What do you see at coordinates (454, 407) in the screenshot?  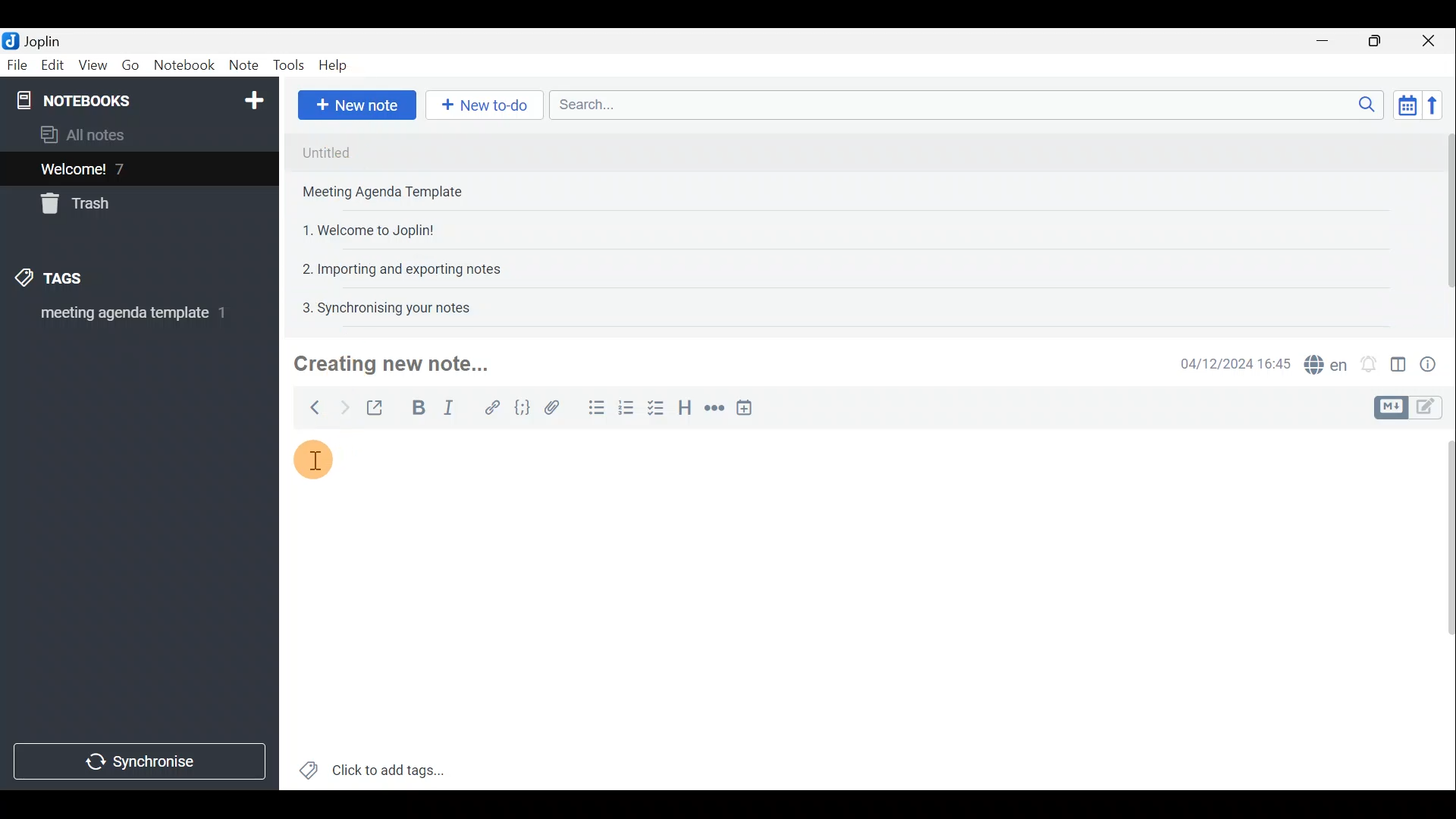 I see `Italic` at bounding box center [454, 407].